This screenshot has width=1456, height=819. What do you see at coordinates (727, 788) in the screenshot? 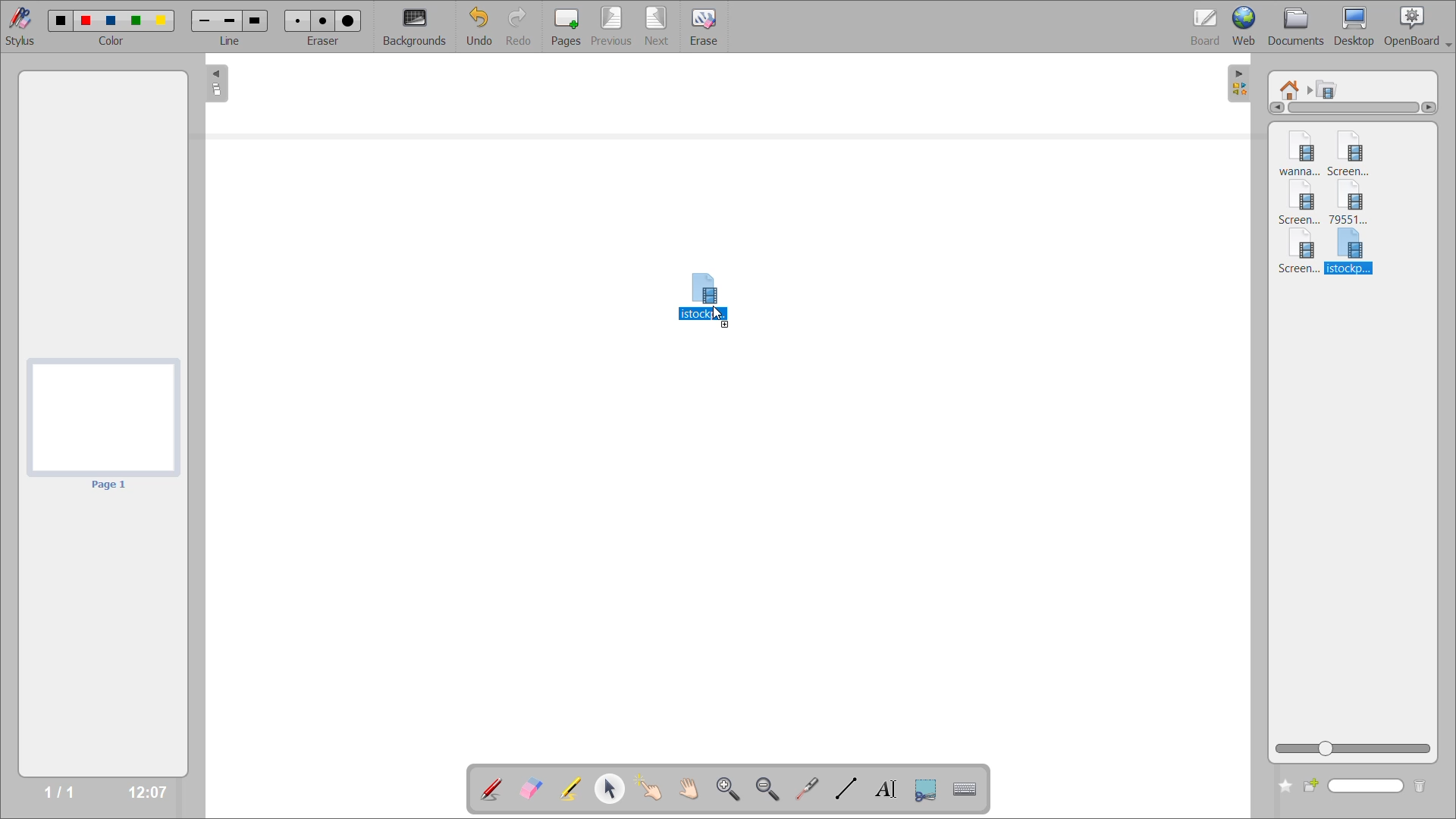
I see `zoom in` at bounding box center [727, 788].